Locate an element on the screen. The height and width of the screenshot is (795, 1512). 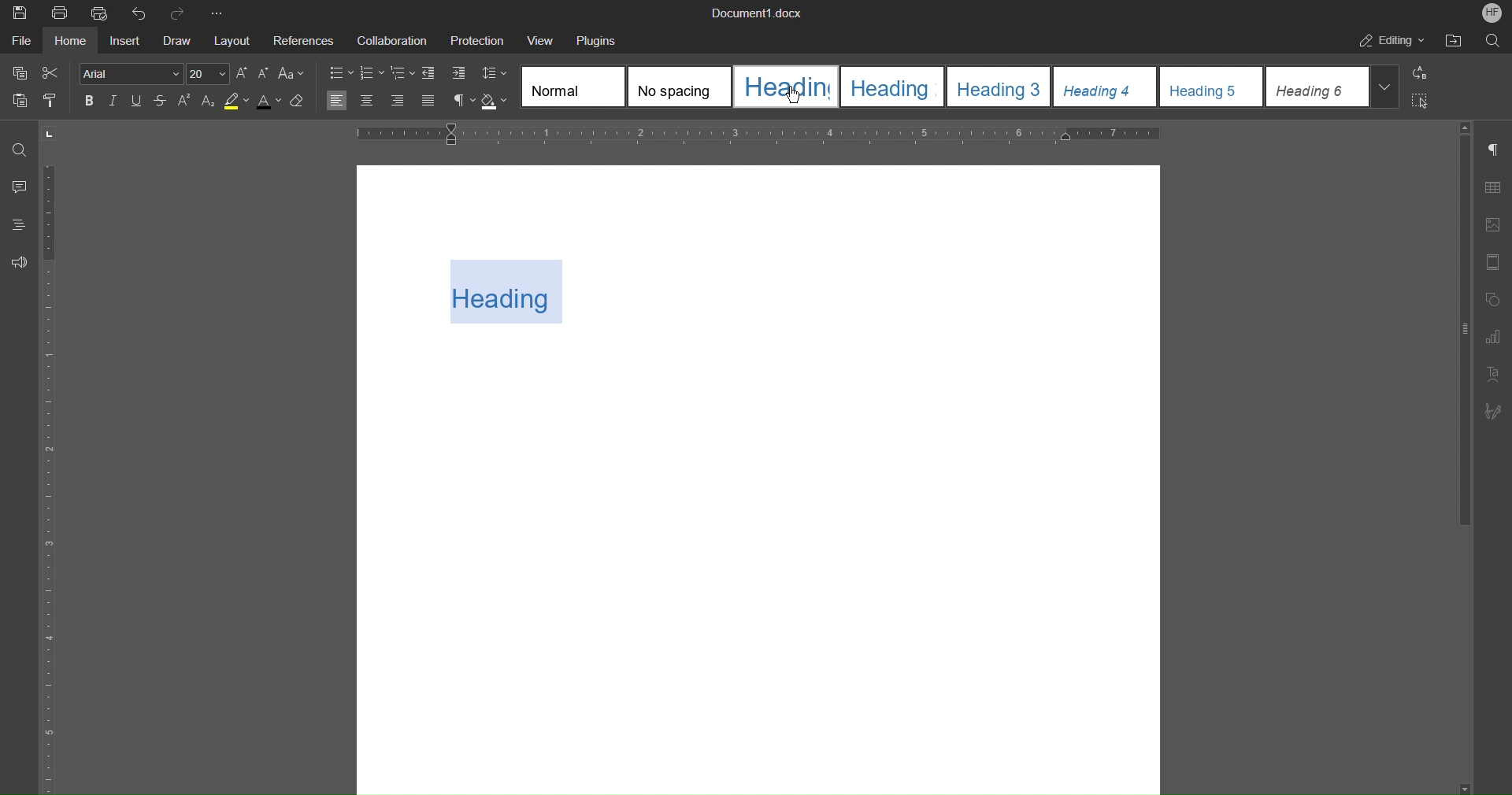
Heading 1 is located at coordinates (787, 86).